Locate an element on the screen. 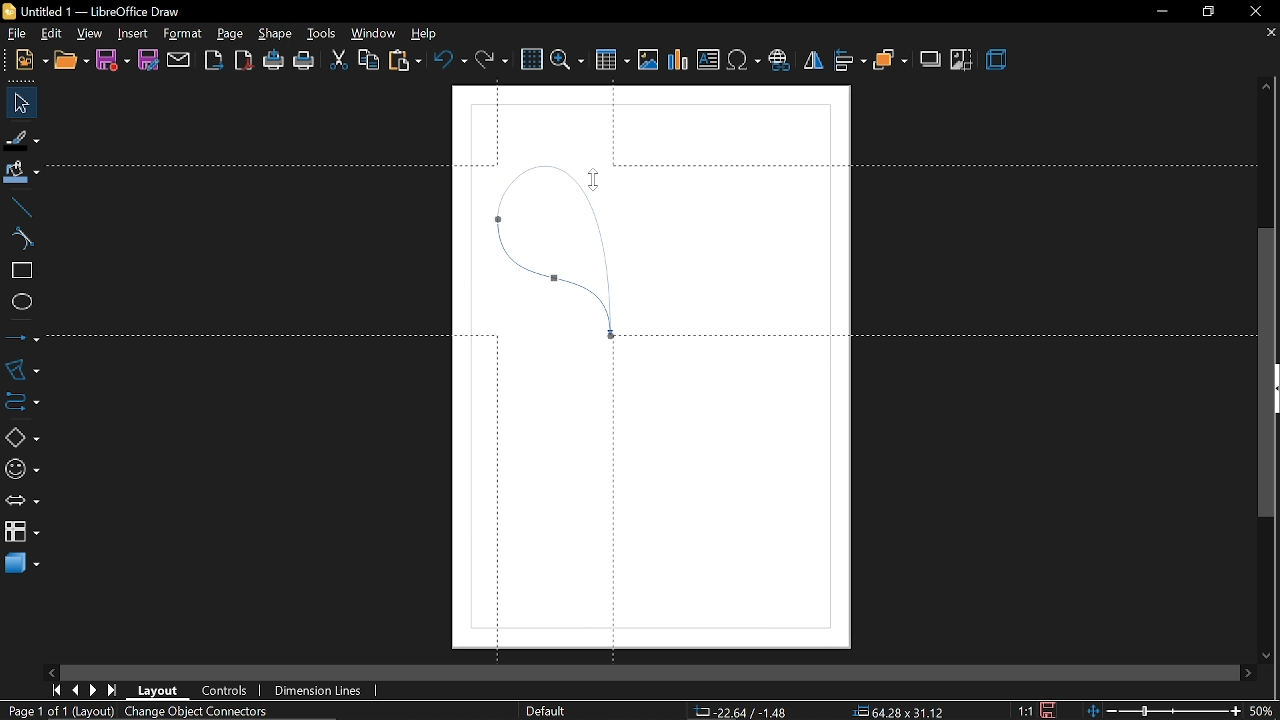 The width and height of the screenshot is (1280, 720). Untitled 1 - LibreOffice Draw is located at coordinates (93, 11).